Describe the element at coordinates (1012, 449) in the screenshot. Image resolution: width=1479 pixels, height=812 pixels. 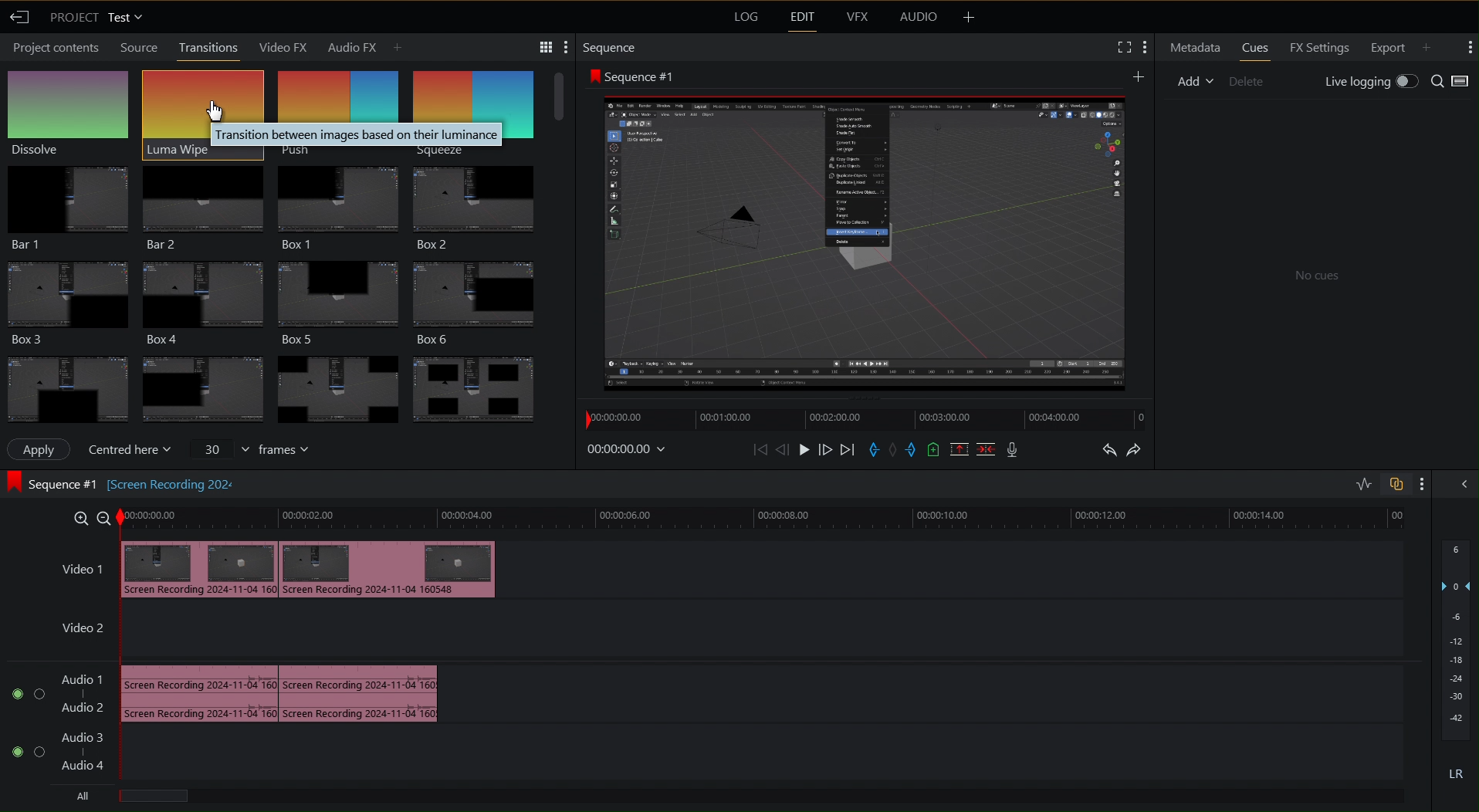
I see `Mic` at that location.